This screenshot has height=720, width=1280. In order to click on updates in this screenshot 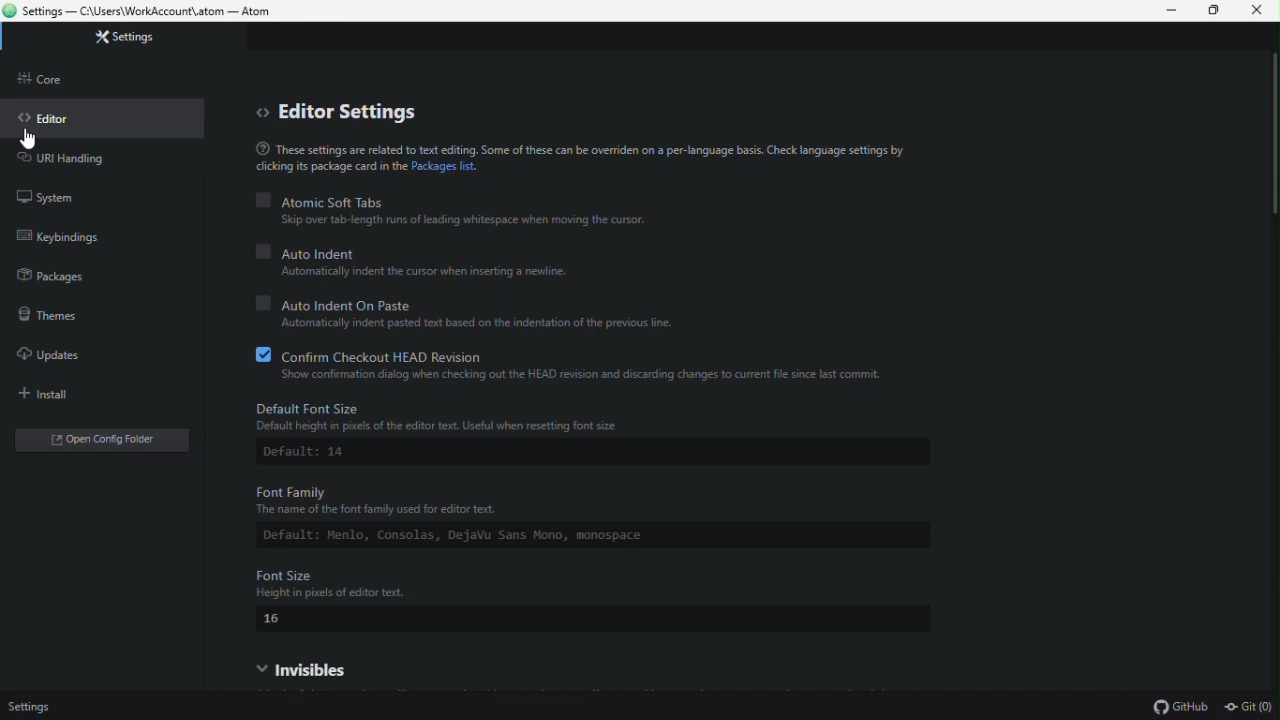, I will do `click(59, 356)`.